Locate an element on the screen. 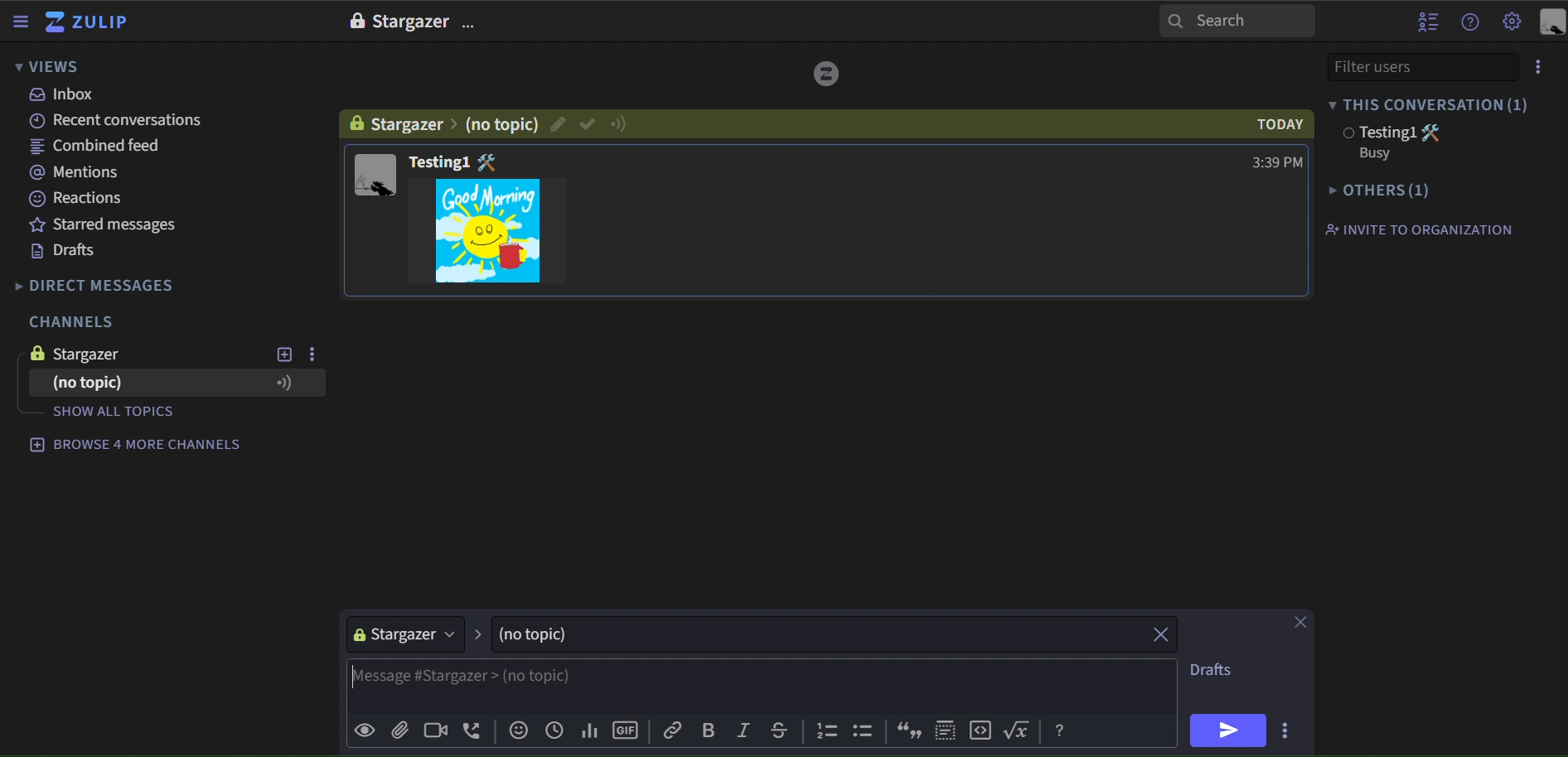  lock is located at coordinates (358, 122).